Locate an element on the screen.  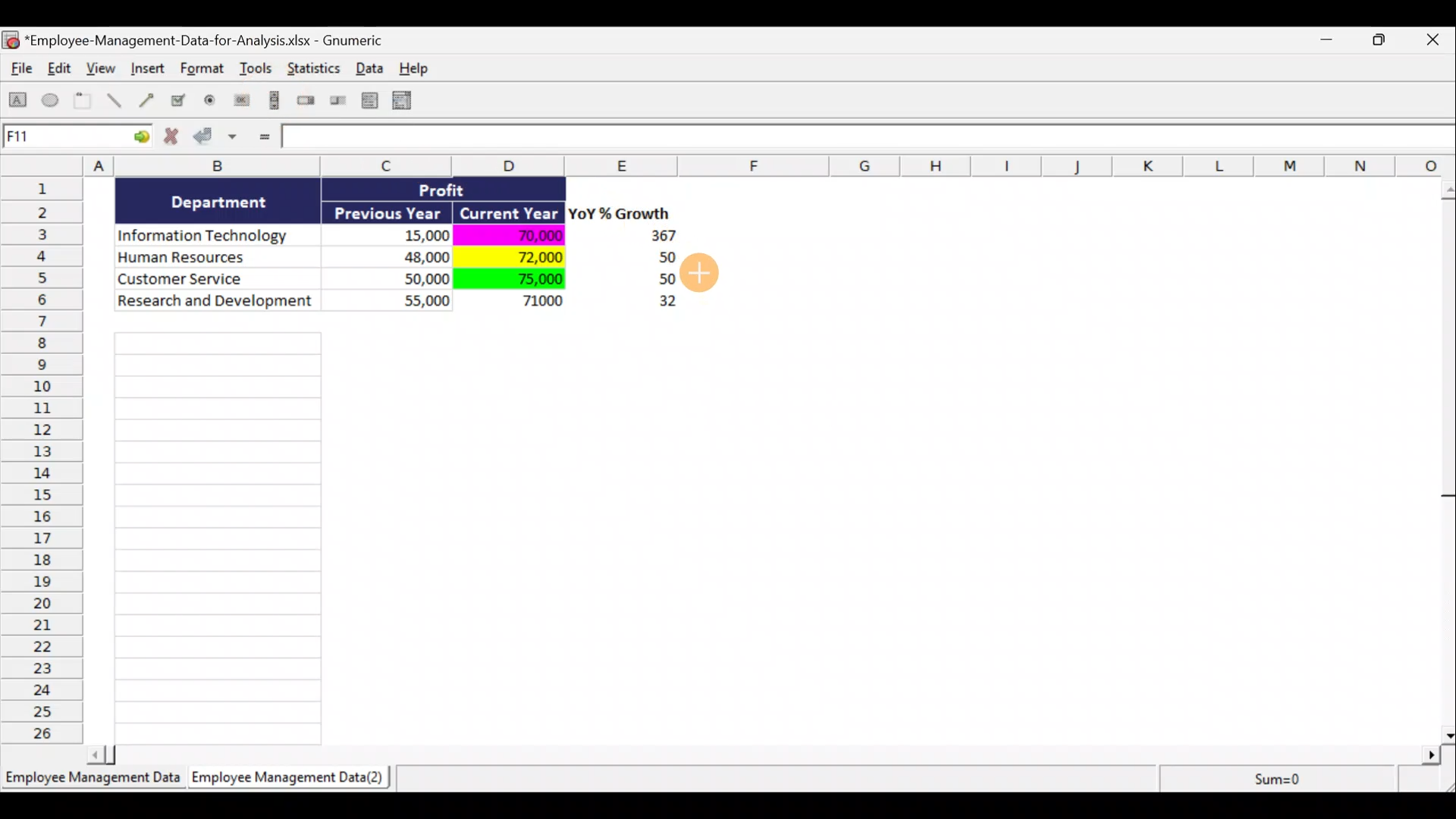
Create a button is located at coordinates (240, 104).